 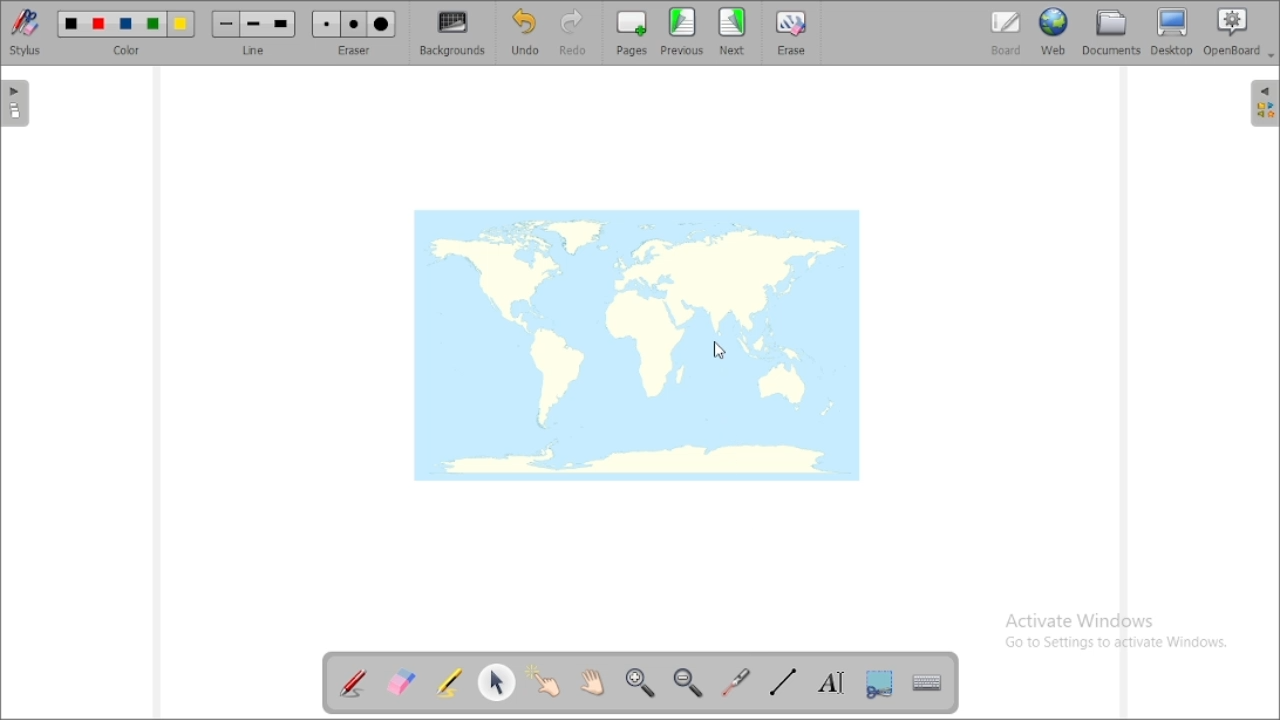 What do you see at coordinates (1054, 32) in the screenshot?
I see `web` at bounding box center [1054, 32].